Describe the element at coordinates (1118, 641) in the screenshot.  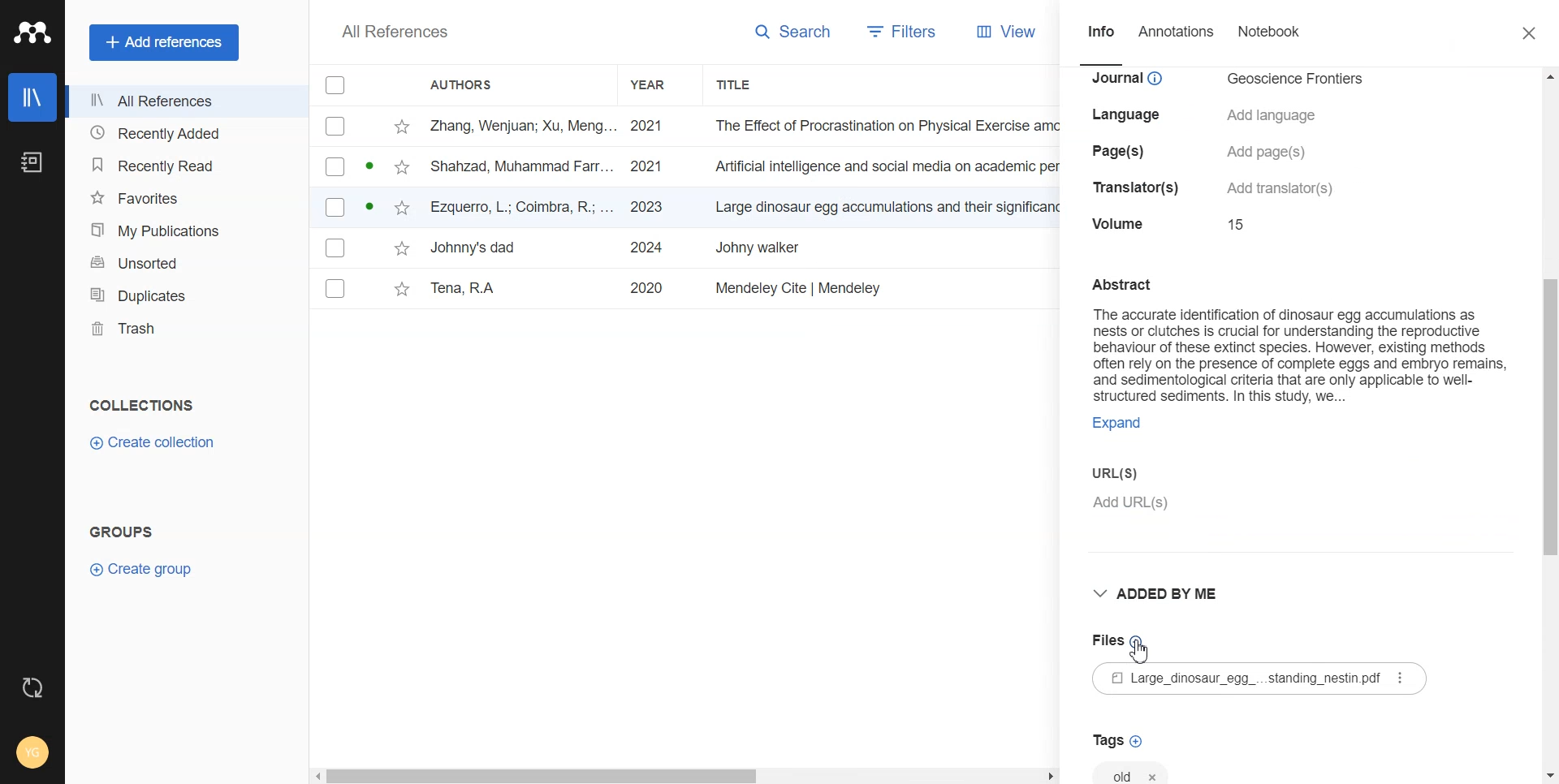
I see `Add File` at that location.